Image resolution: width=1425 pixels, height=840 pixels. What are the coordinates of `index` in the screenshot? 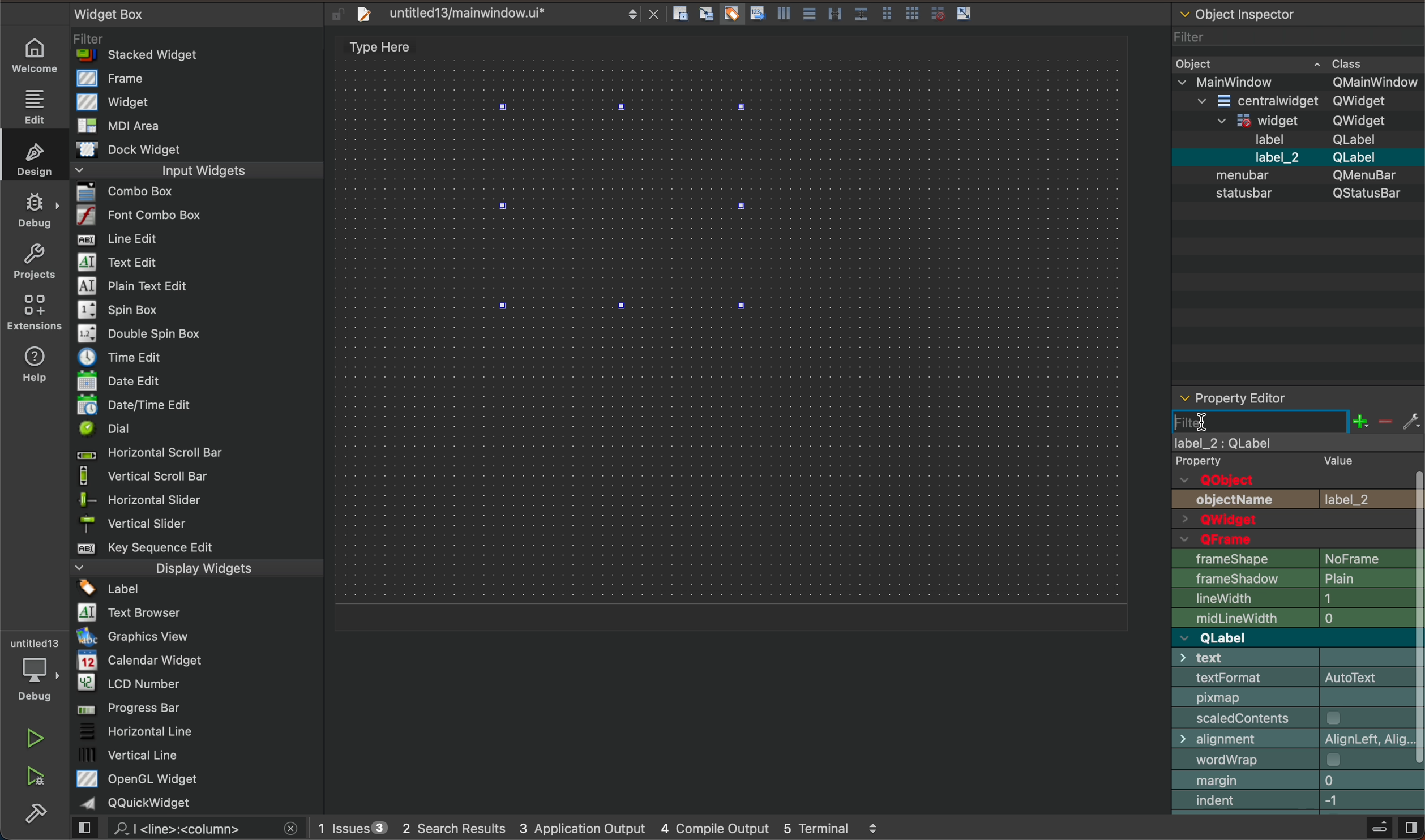 It's located at (1299, 803).